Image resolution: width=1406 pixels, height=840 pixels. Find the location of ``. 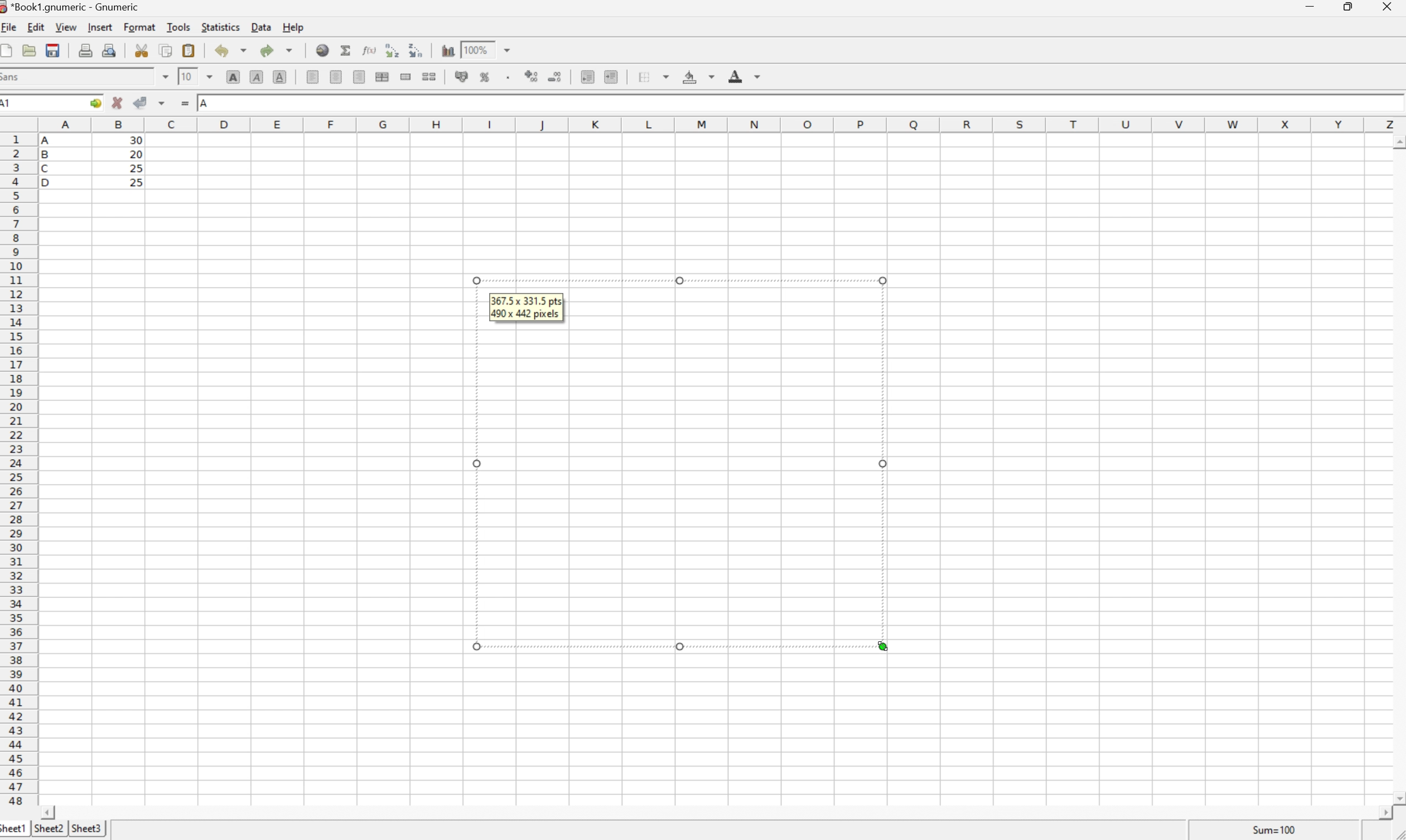

 is located at coordinates (476, 647).